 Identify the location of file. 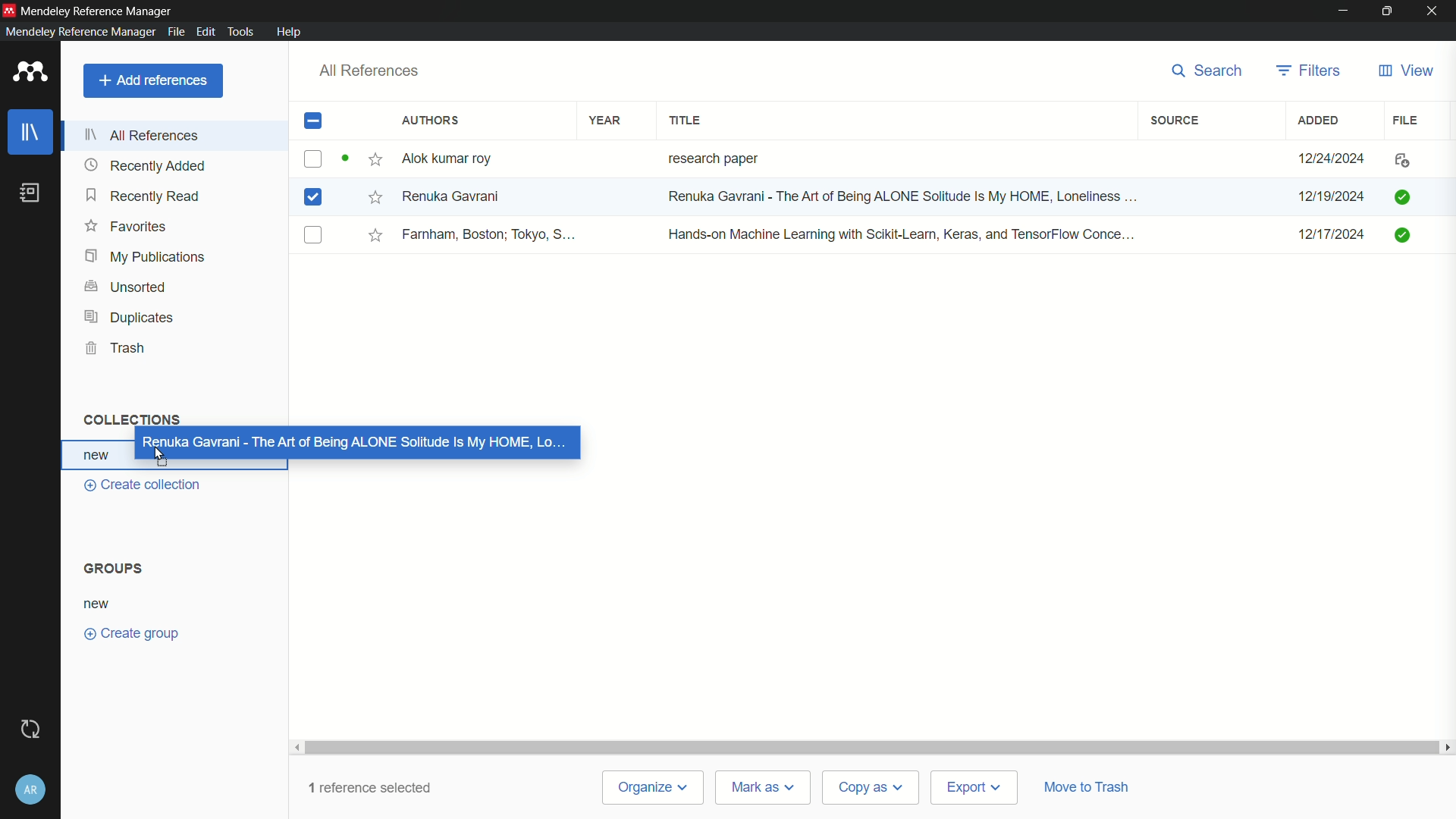
(1406, 121).